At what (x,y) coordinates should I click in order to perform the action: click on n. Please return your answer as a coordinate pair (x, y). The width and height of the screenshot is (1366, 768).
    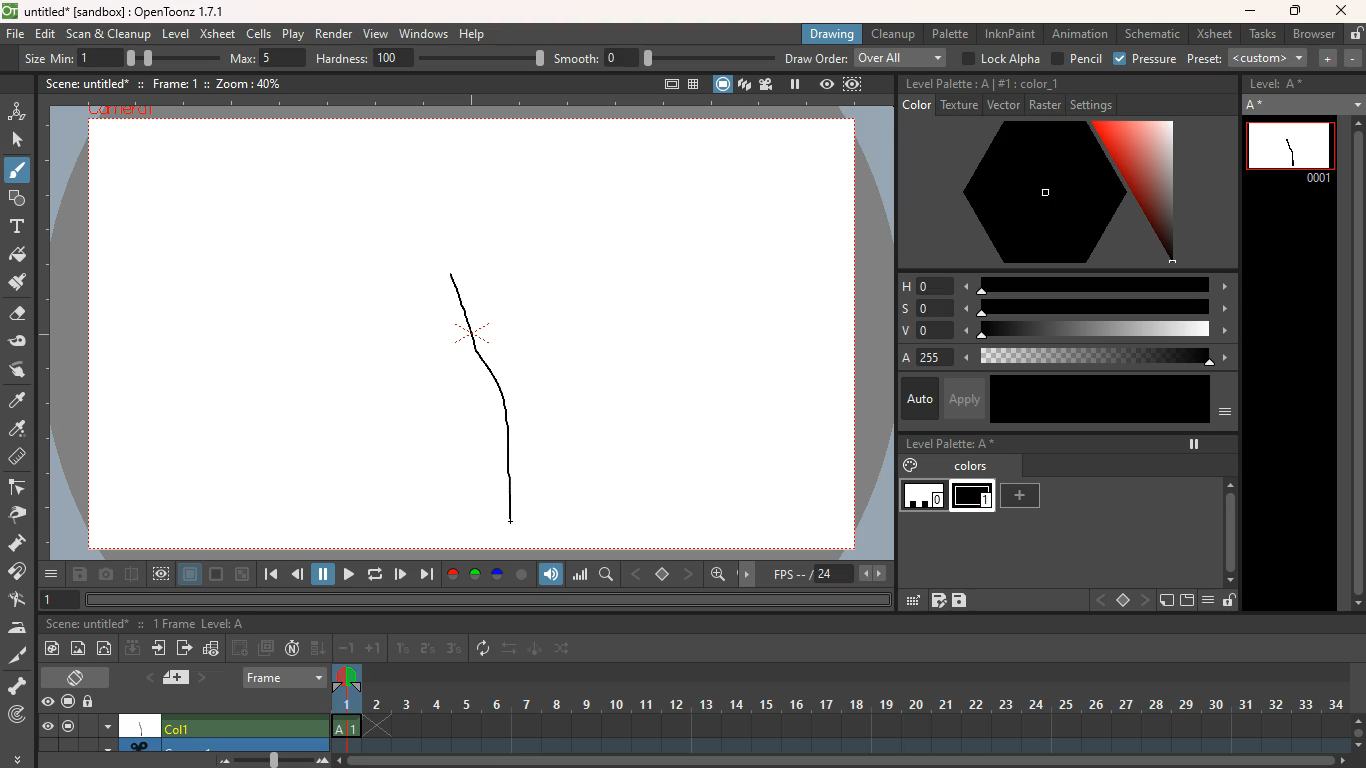
    Looking at the image, I should click on (292, 650).